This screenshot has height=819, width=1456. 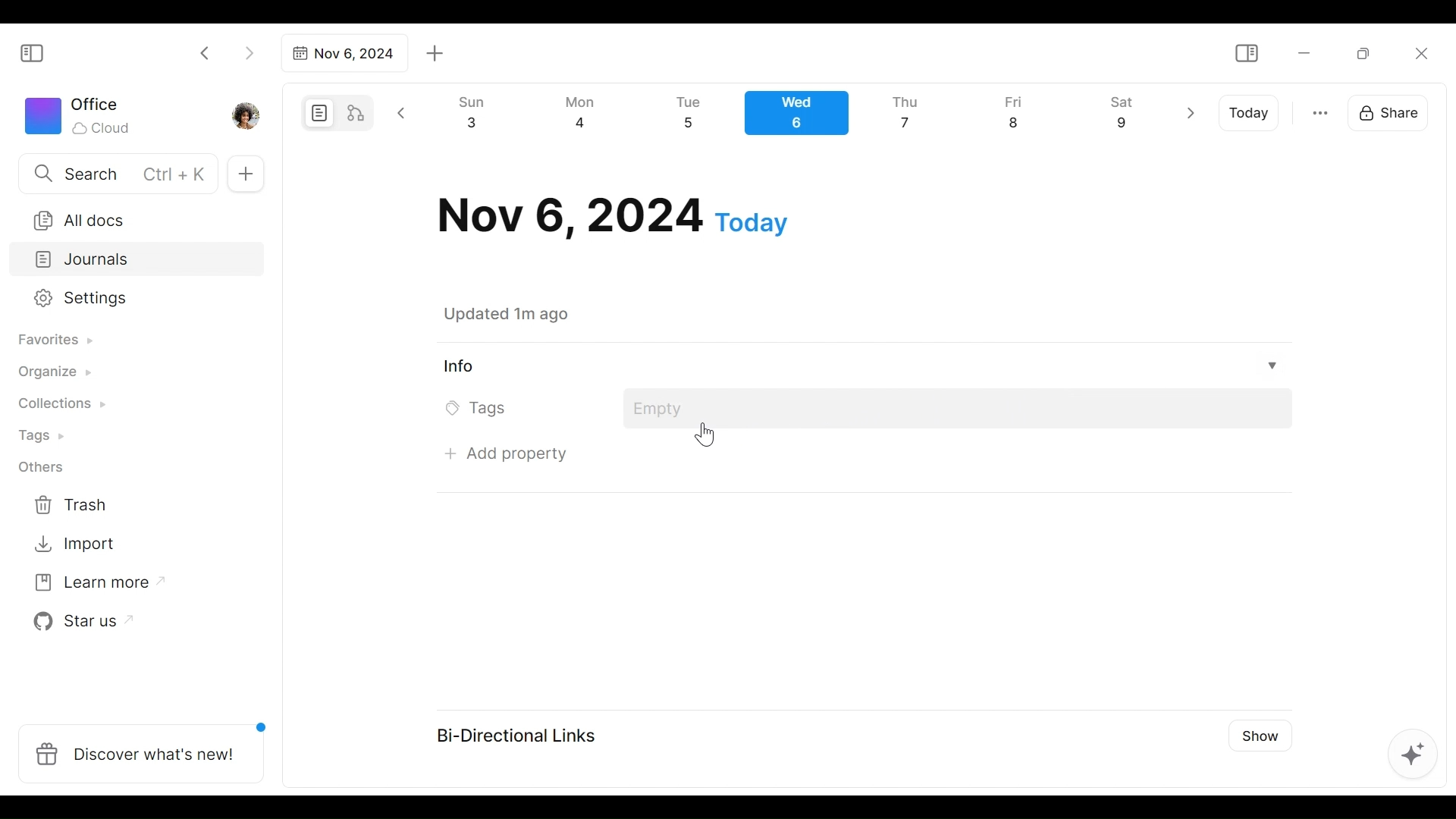 I want to click on Show/Hide Sidebar, so click(x=1246, y=54).